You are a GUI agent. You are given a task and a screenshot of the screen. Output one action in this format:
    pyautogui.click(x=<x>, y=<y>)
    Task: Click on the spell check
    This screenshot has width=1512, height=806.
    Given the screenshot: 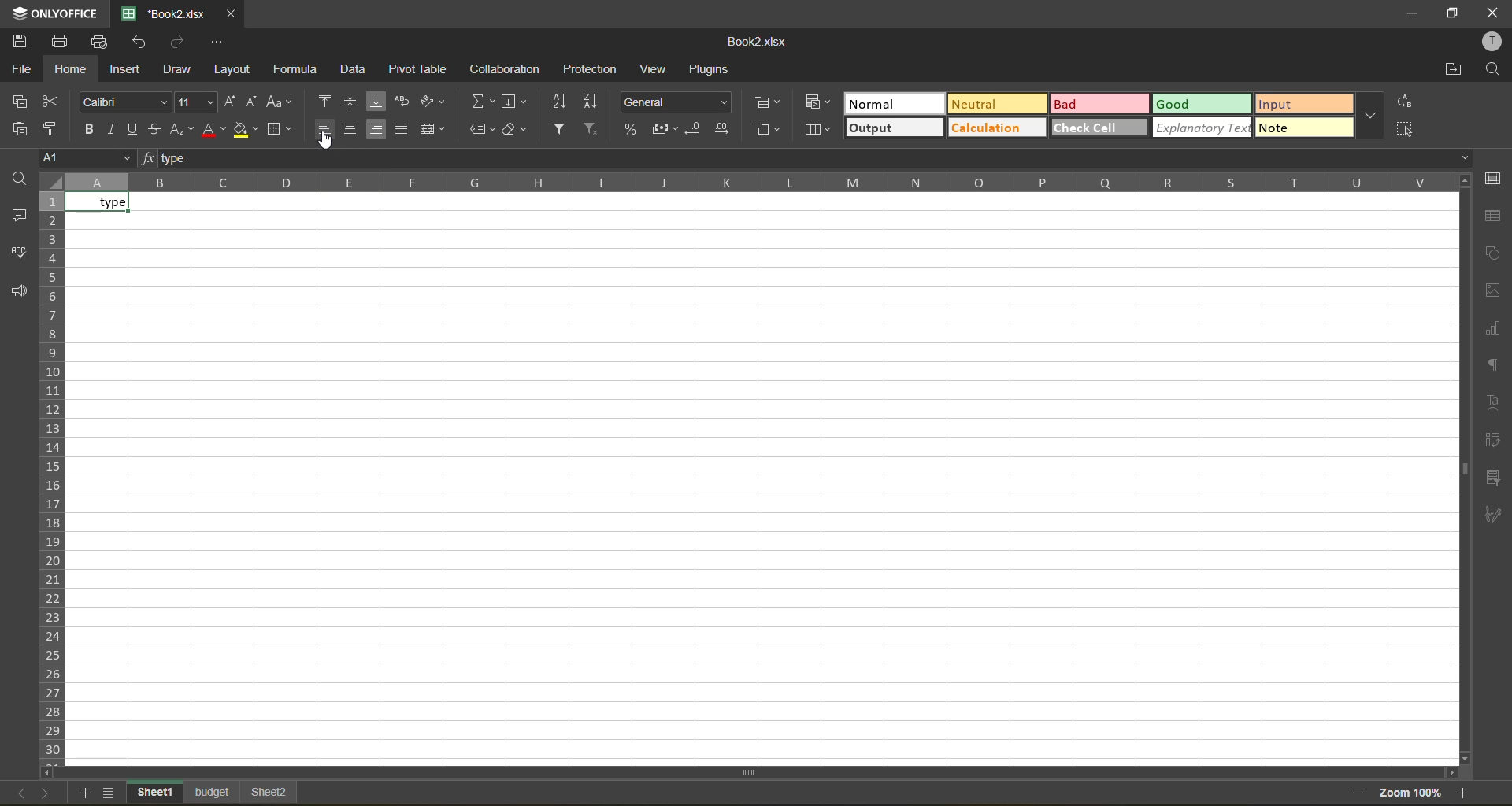 What is the action you would take?
    pyautogui.click(x=17, y=257)
    